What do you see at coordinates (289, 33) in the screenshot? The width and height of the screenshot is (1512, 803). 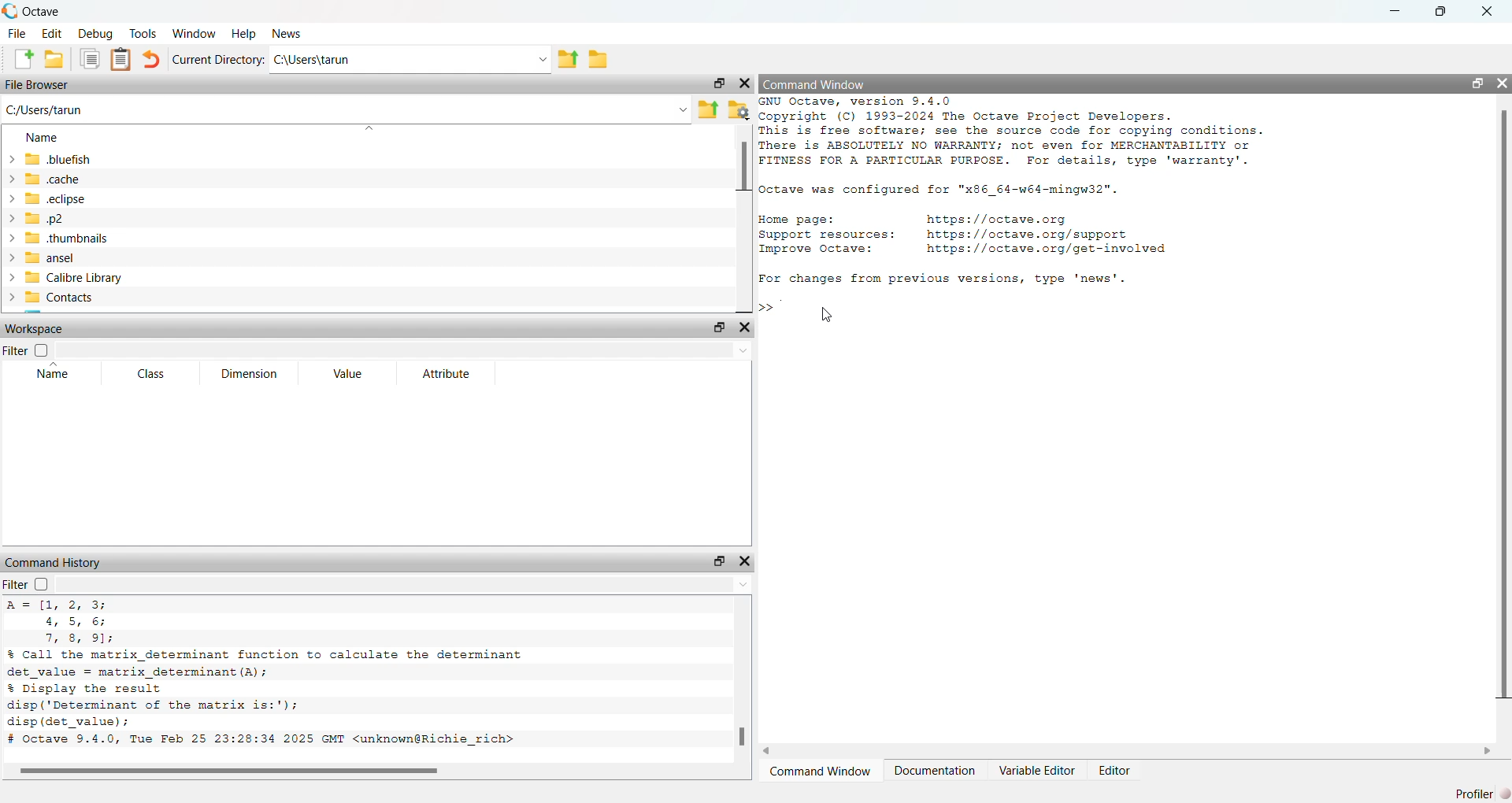 I see `news` at bounding box center [289, 33].